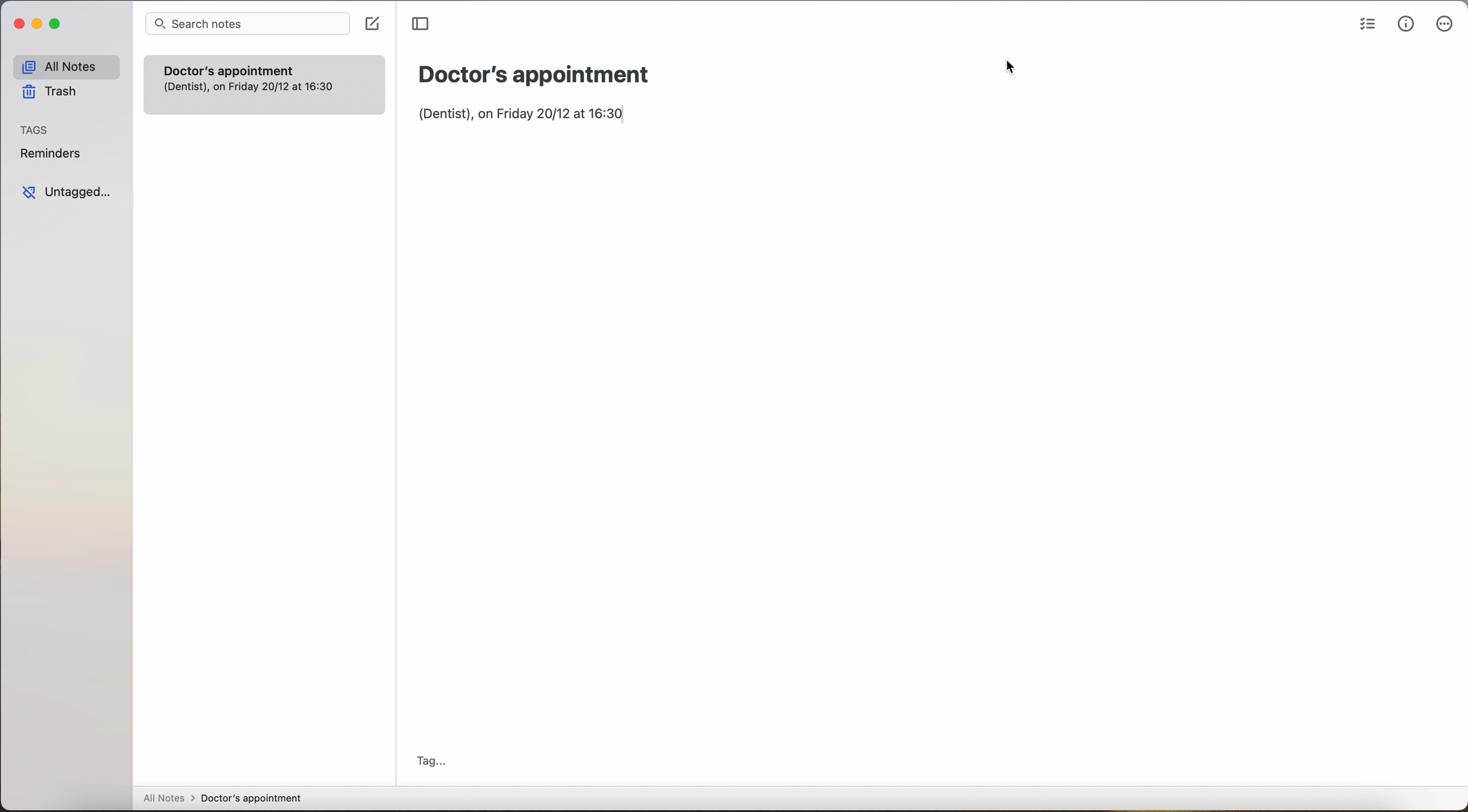 The image size is (1468, 812). I want to click on close program, so click(15, 23).